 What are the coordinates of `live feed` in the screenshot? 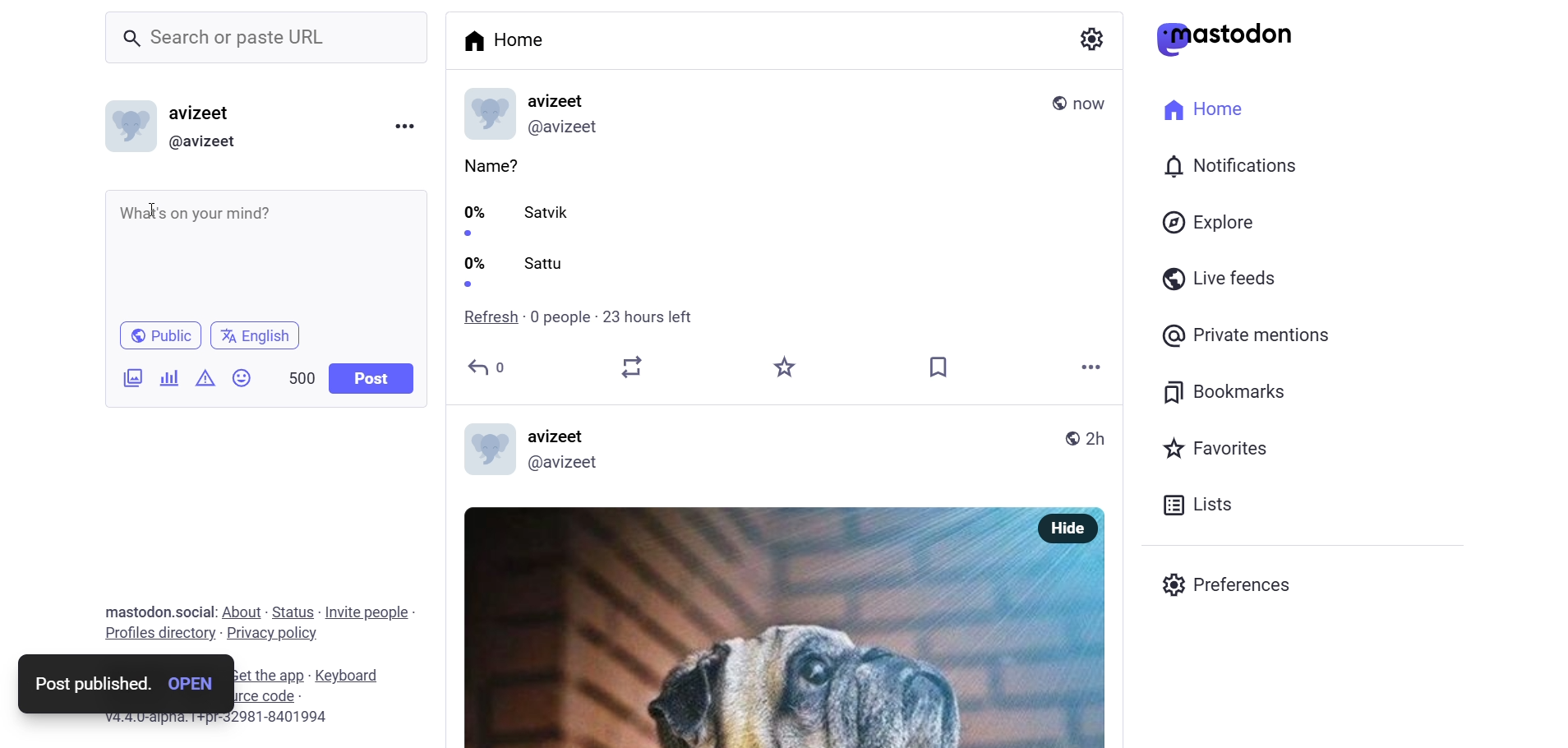 It's located at (1215, 277).